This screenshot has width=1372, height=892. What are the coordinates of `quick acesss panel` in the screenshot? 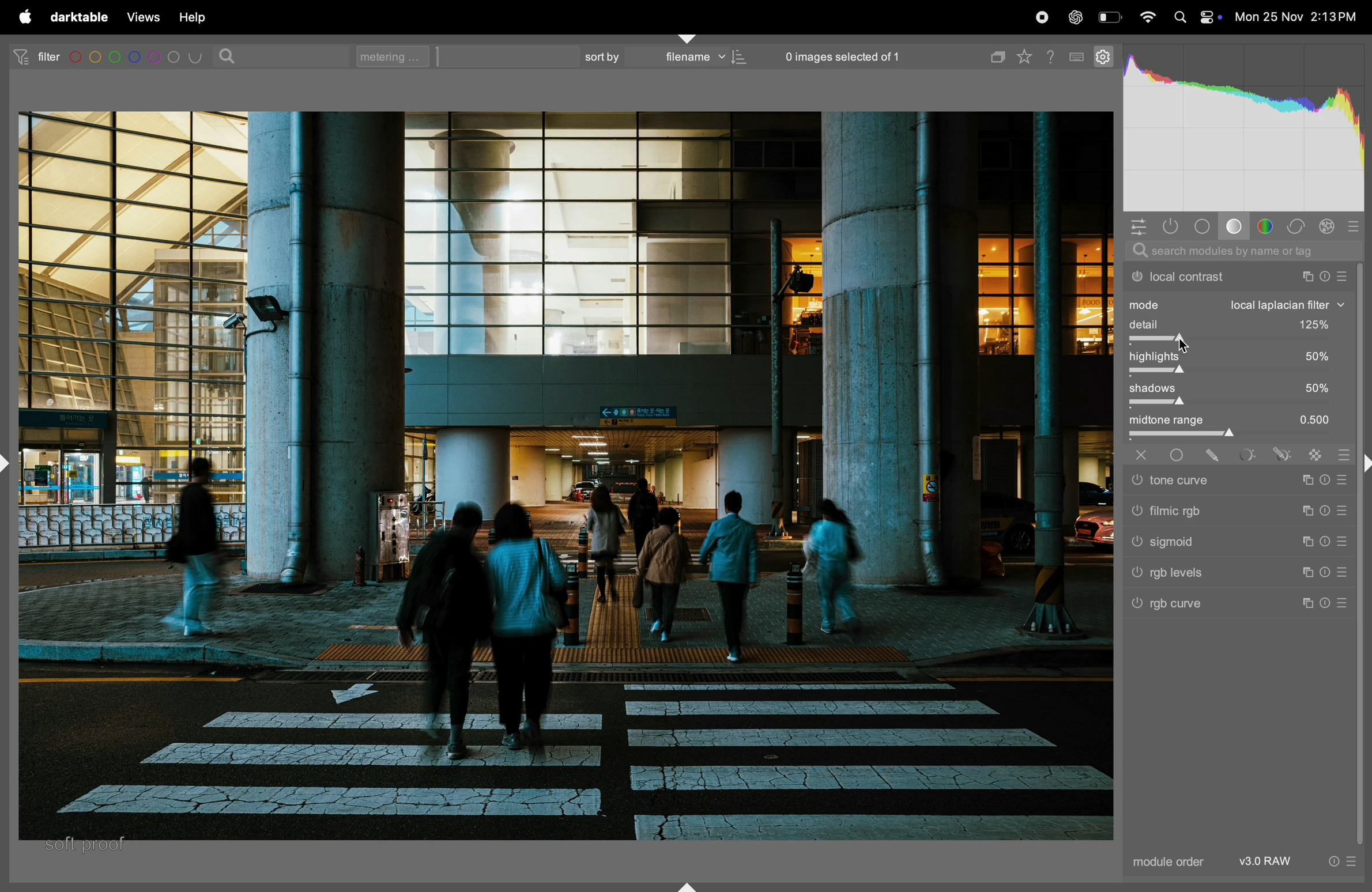 It's located at (1138, 226).